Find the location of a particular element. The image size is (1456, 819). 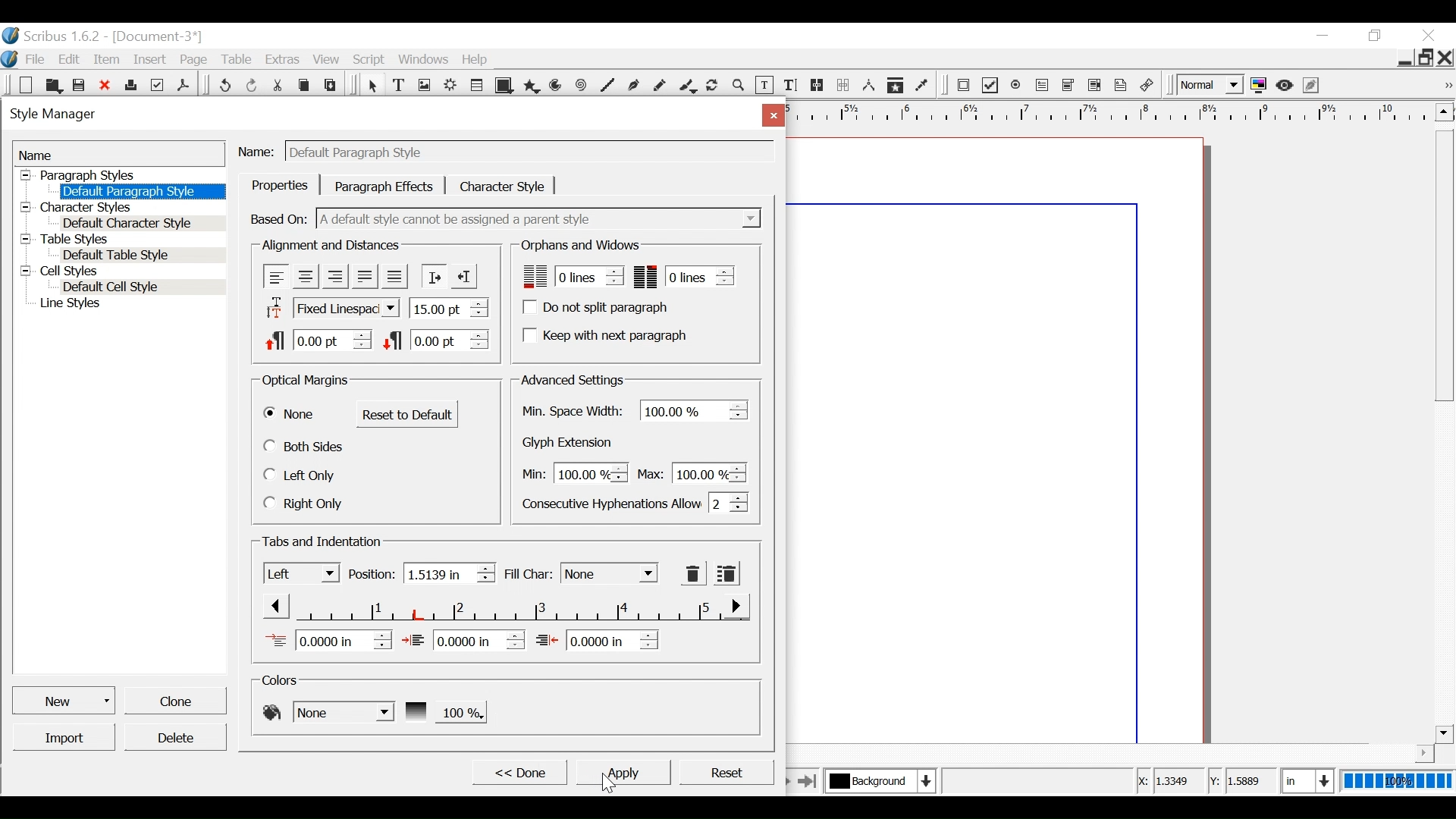

Based on is located at coordinates (280, 218).